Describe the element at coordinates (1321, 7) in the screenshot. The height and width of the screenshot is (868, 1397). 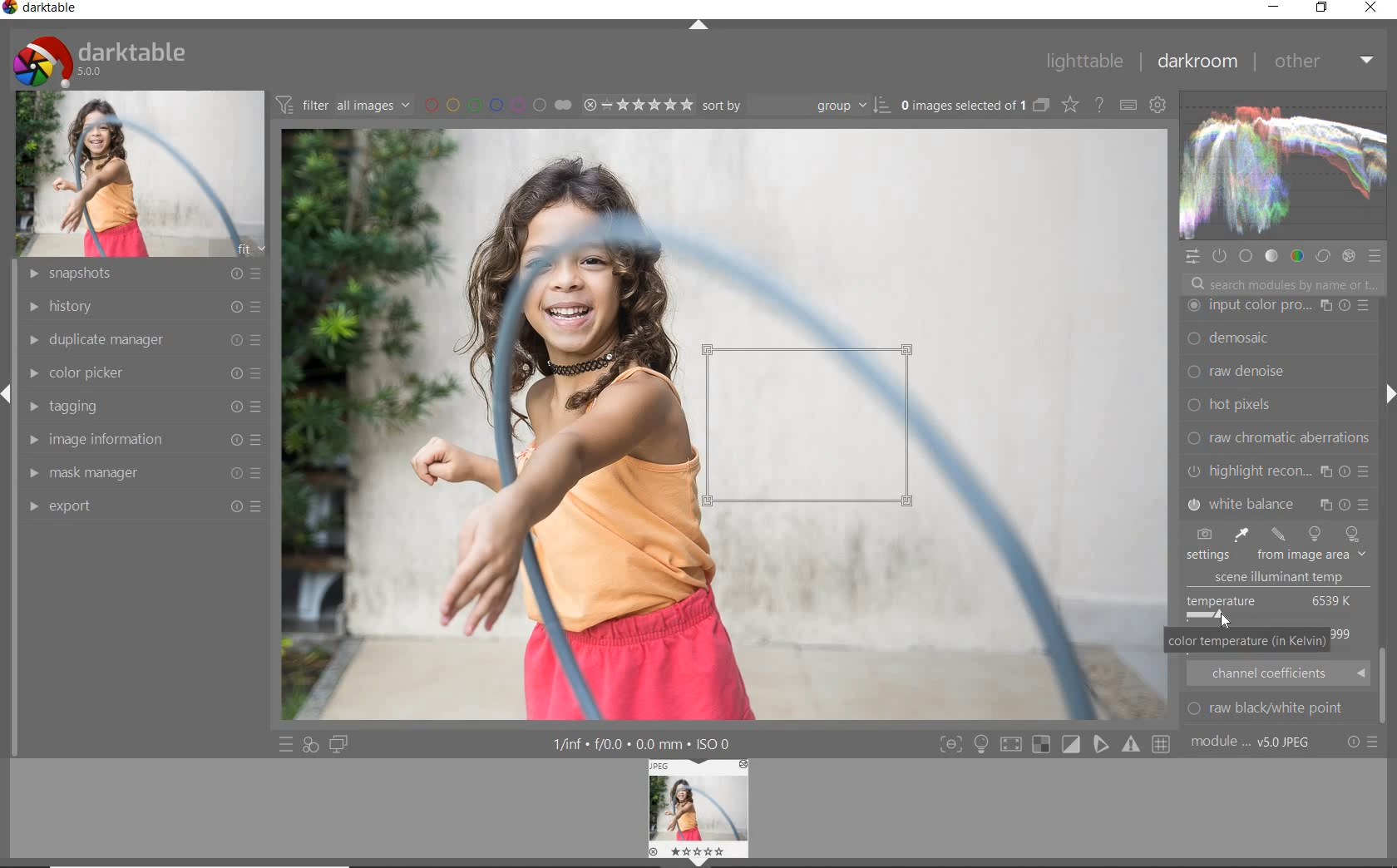
I see `restore` at that location.